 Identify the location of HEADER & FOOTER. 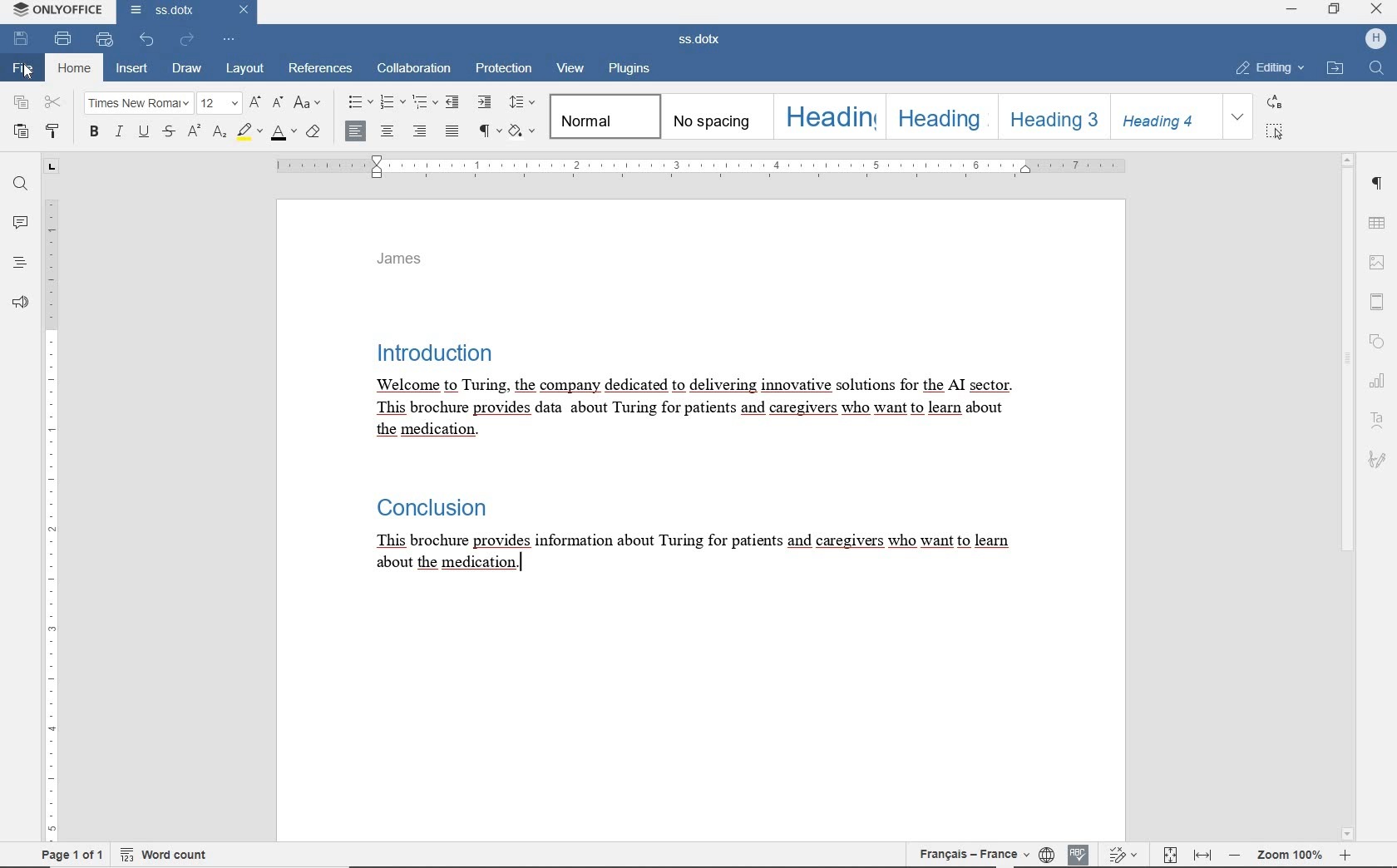
(1378, 303).